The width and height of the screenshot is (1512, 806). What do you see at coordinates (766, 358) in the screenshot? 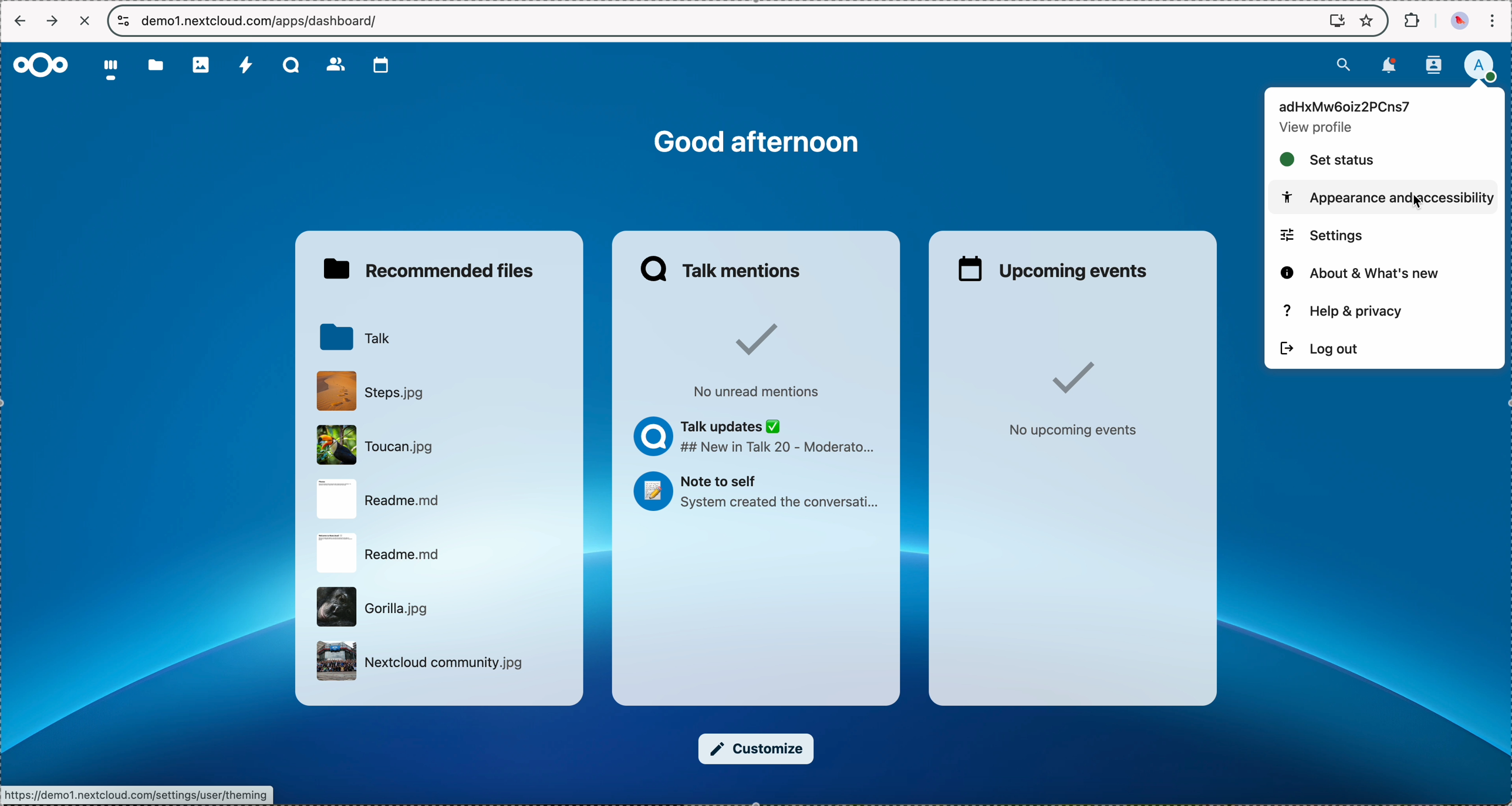
I see `no unread mentions` at bounding box center [766, 358].